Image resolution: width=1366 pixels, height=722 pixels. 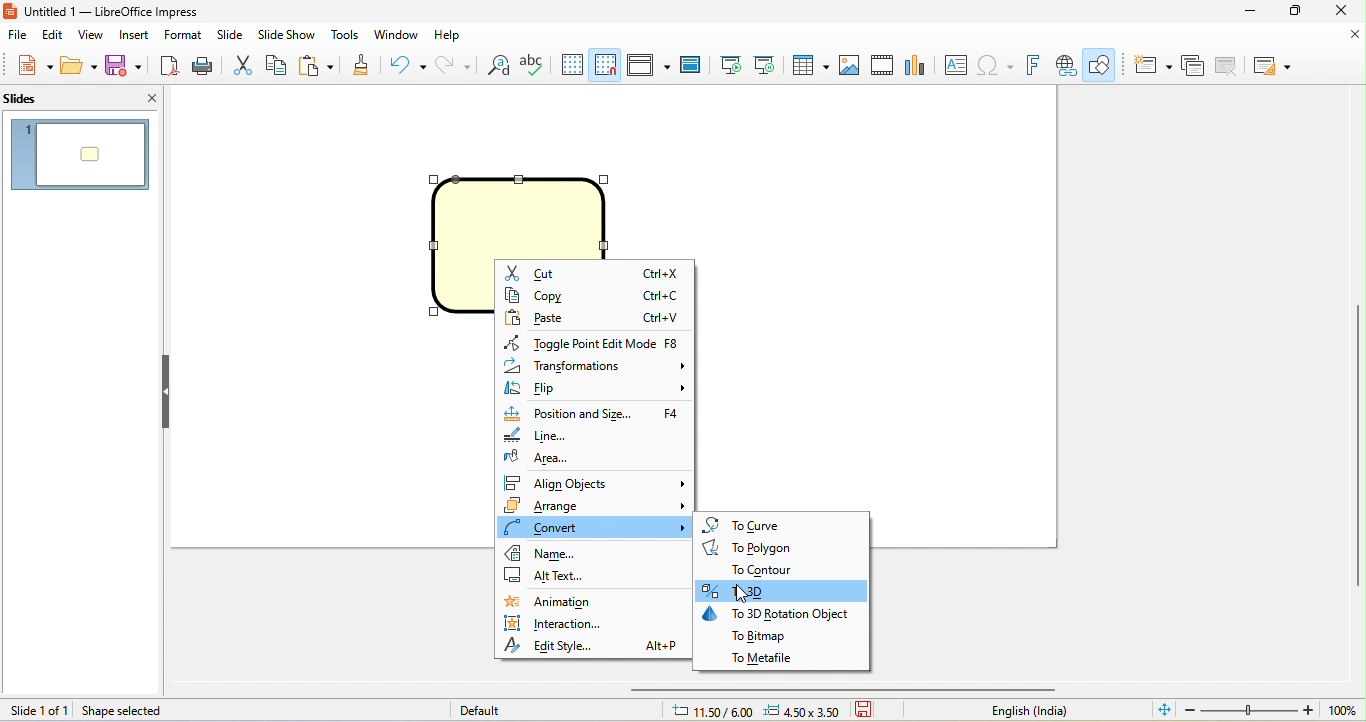 What do you see at coordinates (1226, 65) in the screenshot?
I see `delete slide` at bounding box center [1226, 65].